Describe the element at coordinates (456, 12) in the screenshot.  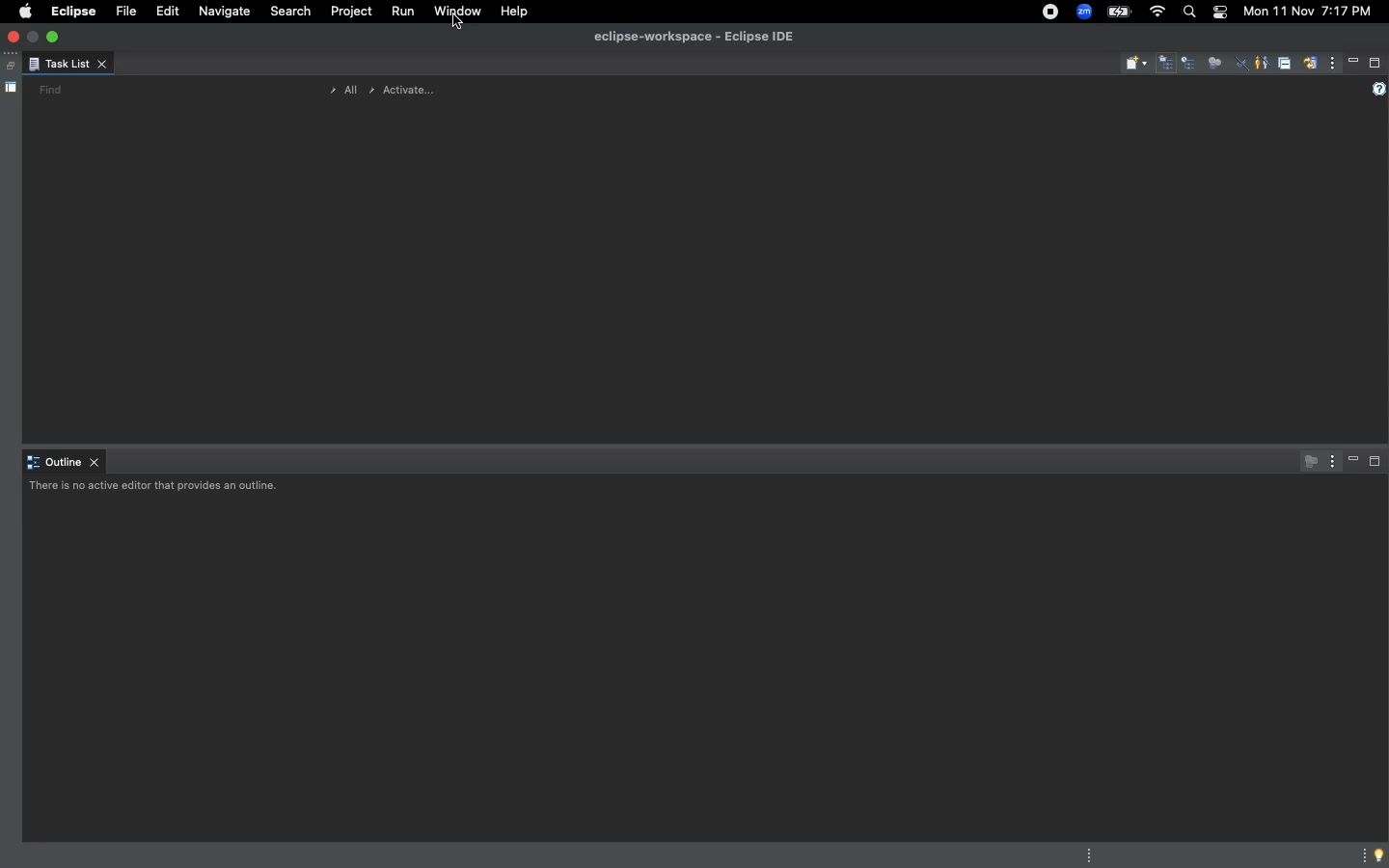
I see `Window` at that location.